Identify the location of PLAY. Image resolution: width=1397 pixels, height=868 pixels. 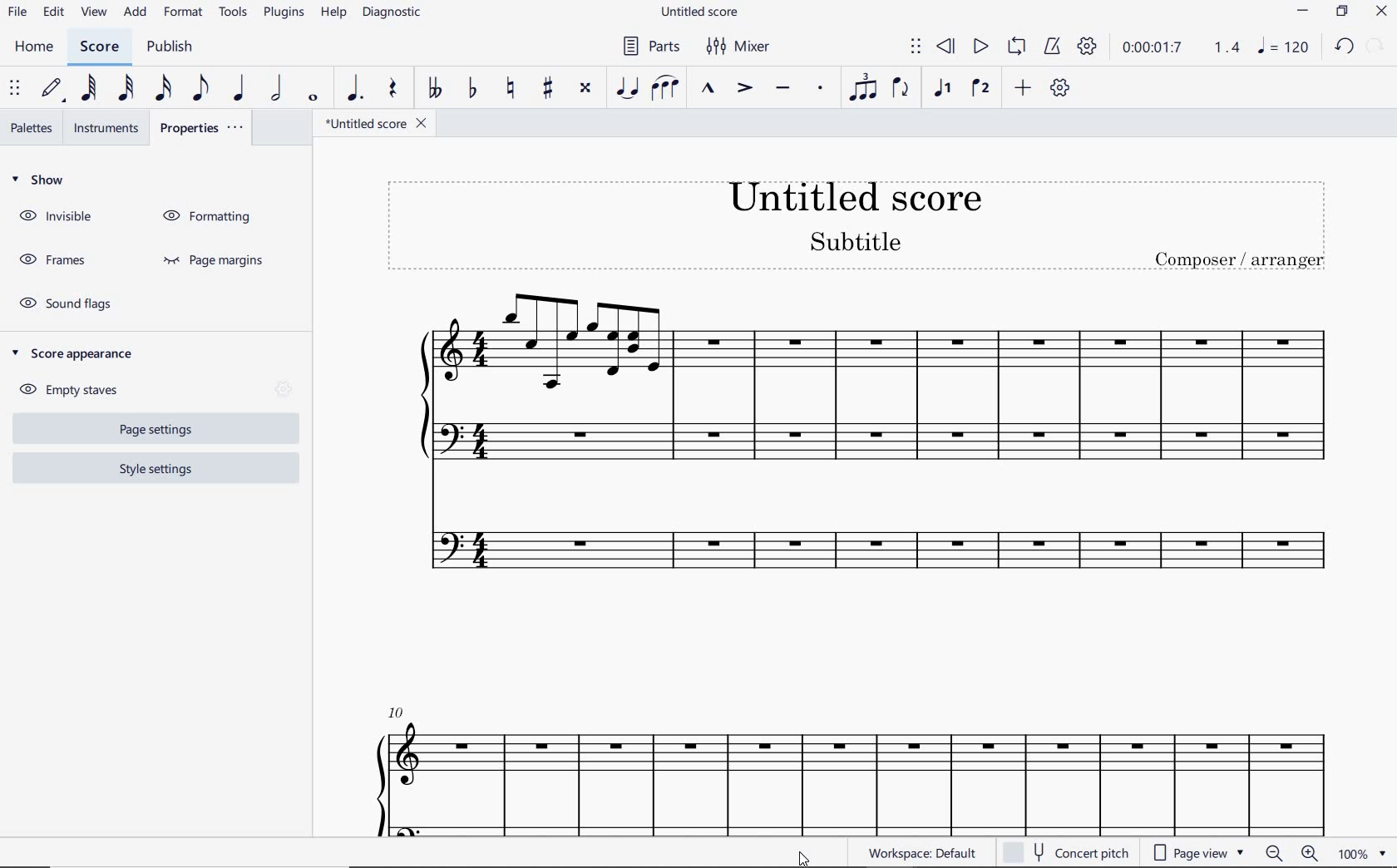
(980, 47).